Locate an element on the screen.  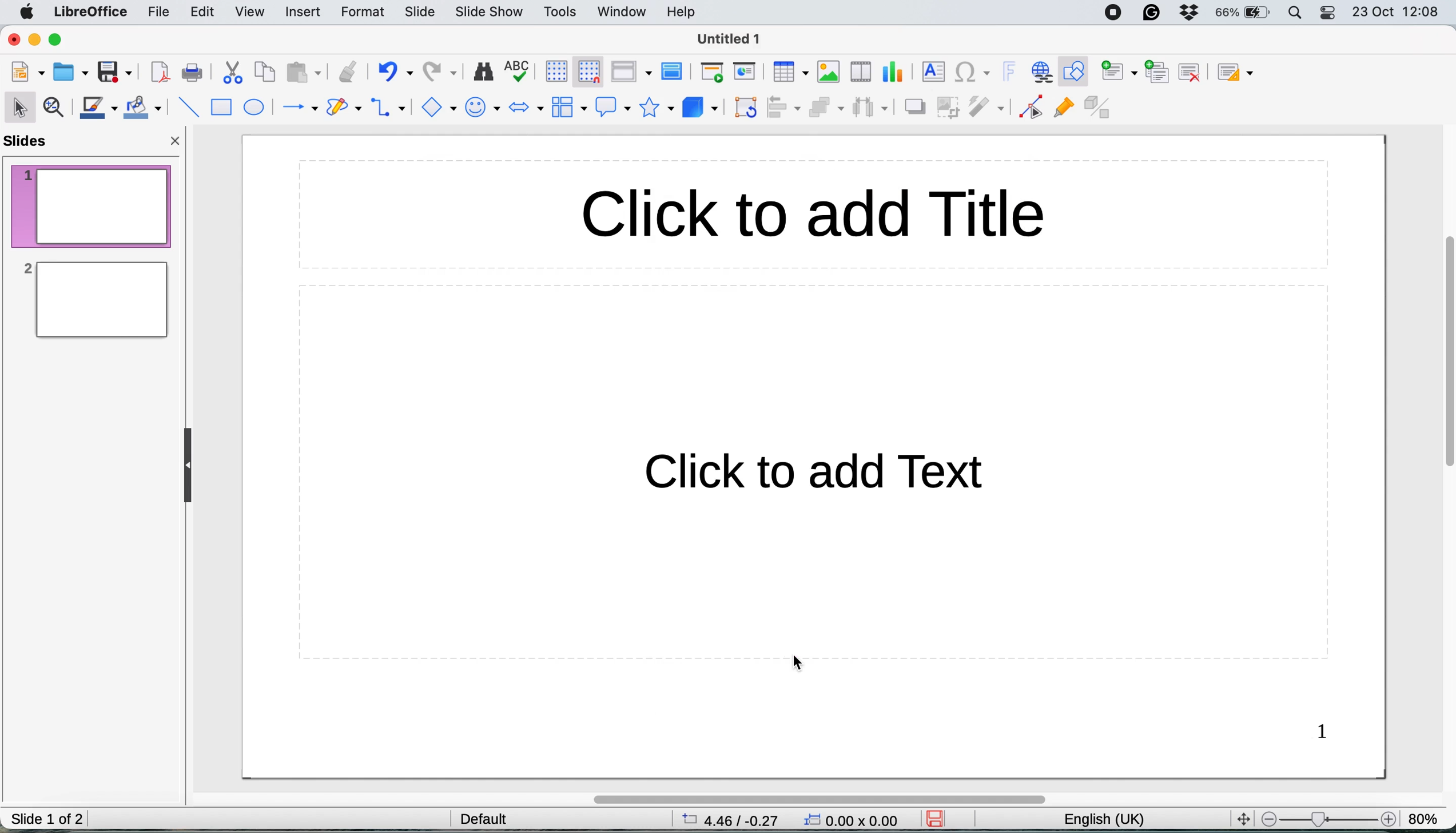
collapse is located at coordinates (192, 466).